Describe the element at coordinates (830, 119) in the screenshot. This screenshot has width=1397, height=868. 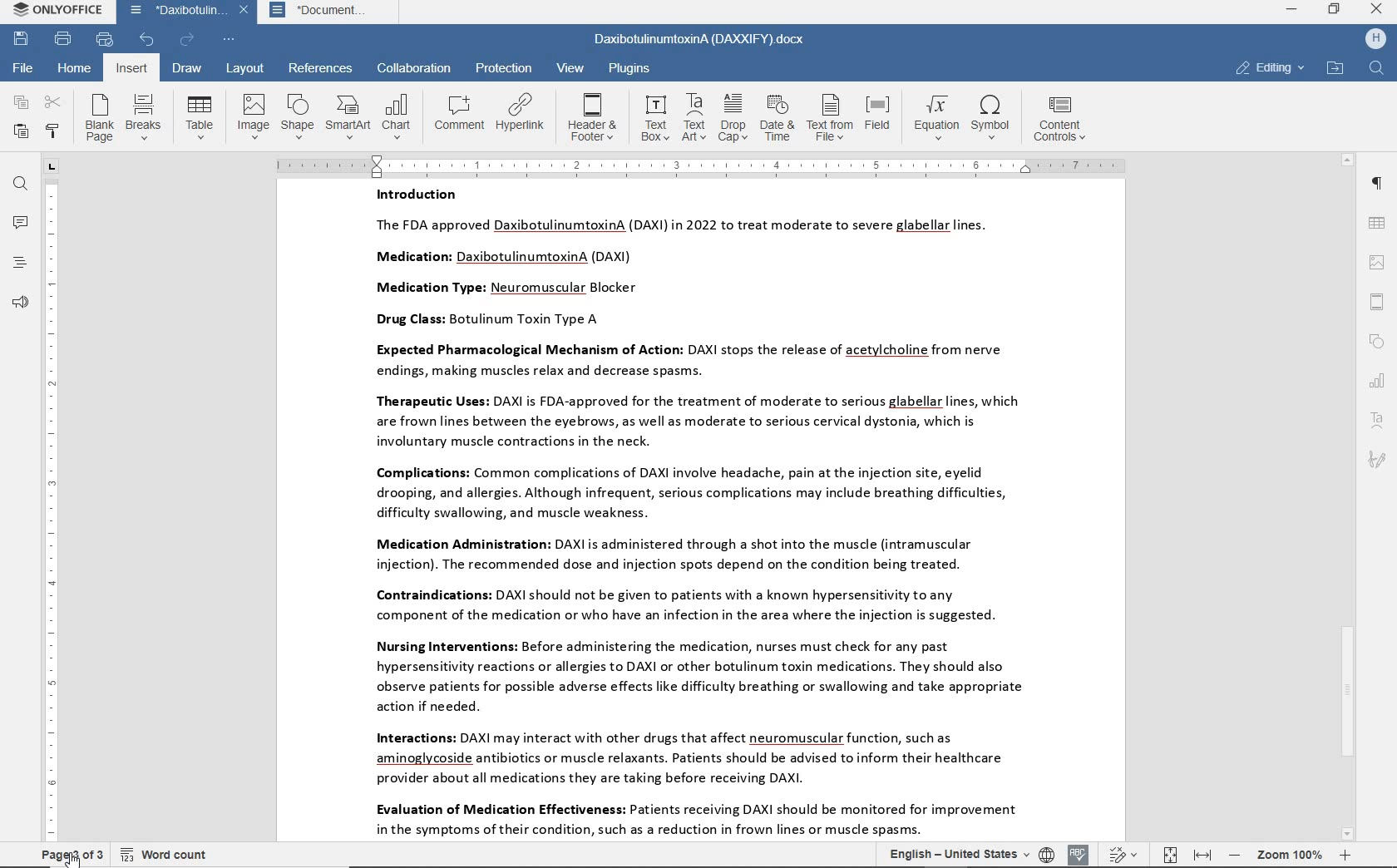
I see `text from file` at that location.